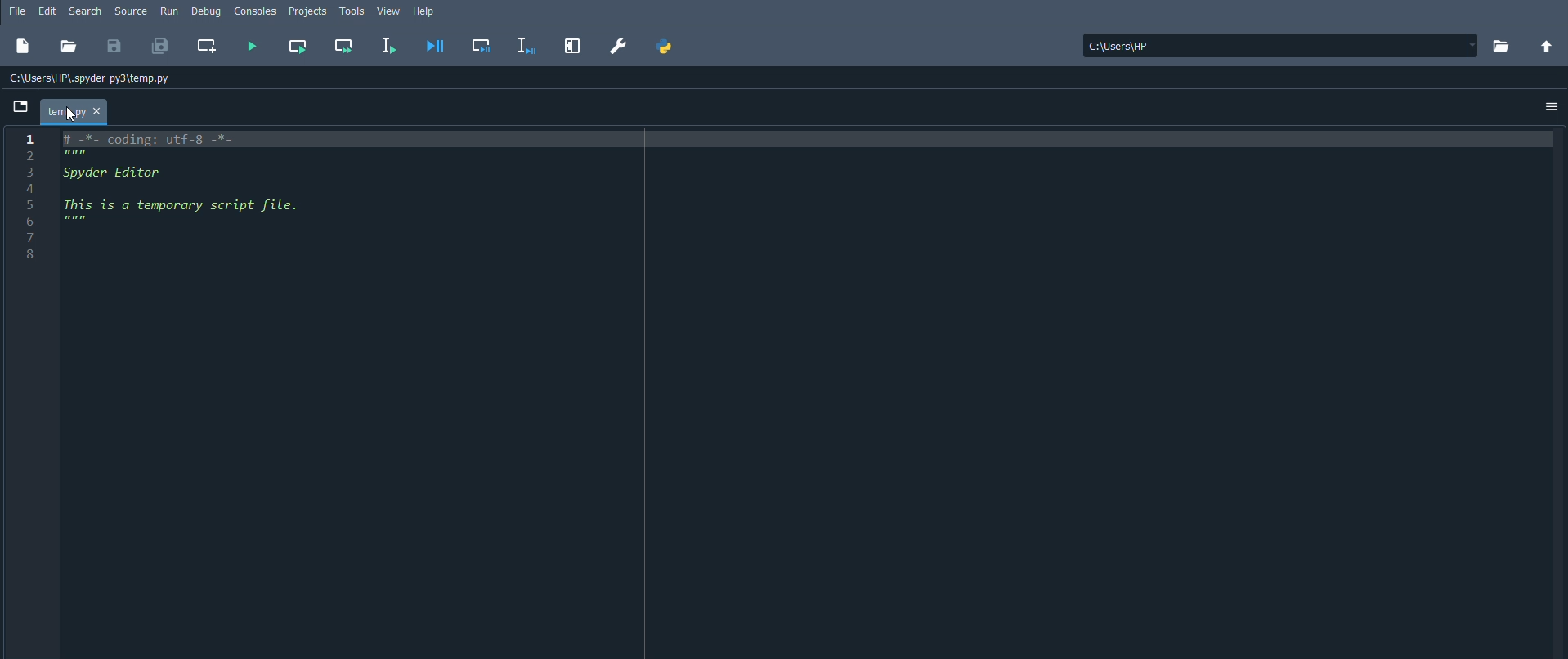  Describe the element at coordinates (72, 115) in the screenshot. I see `cursor` at that location.